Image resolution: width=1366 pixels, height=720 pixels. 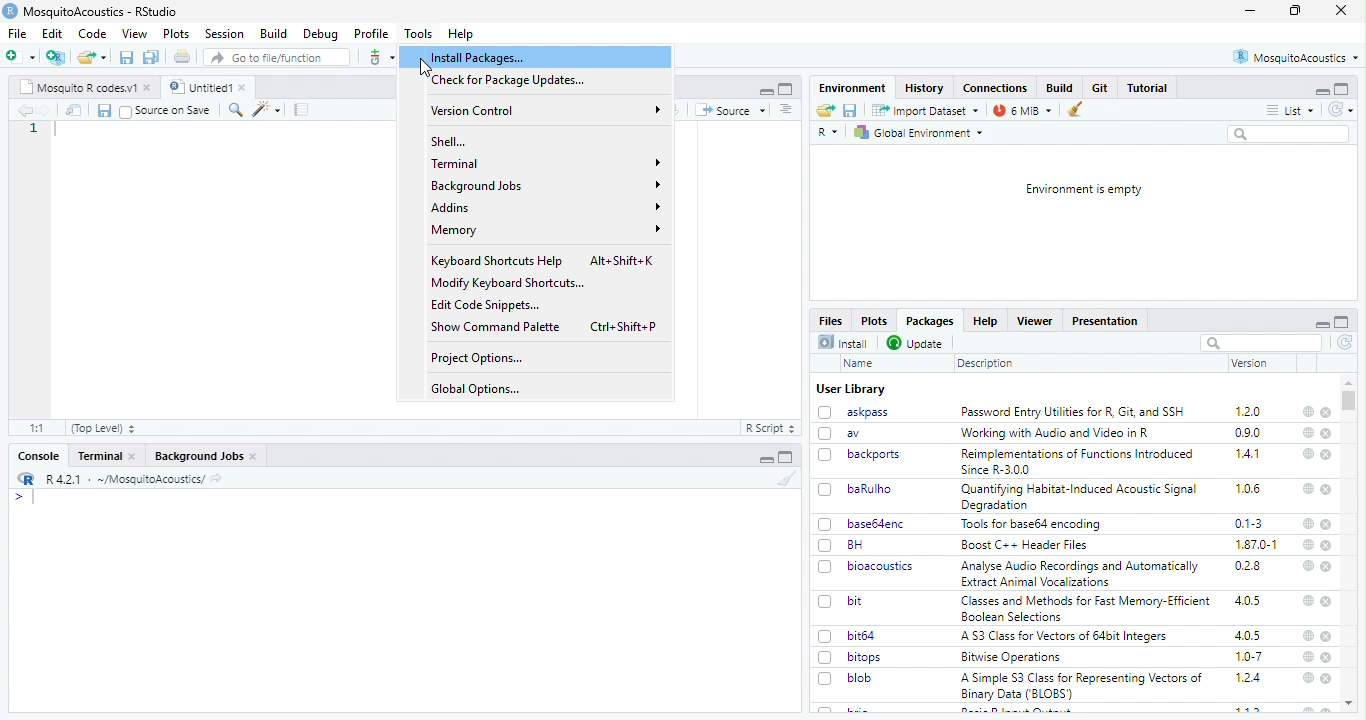 I want to click on View, so click(x=136, y=34).